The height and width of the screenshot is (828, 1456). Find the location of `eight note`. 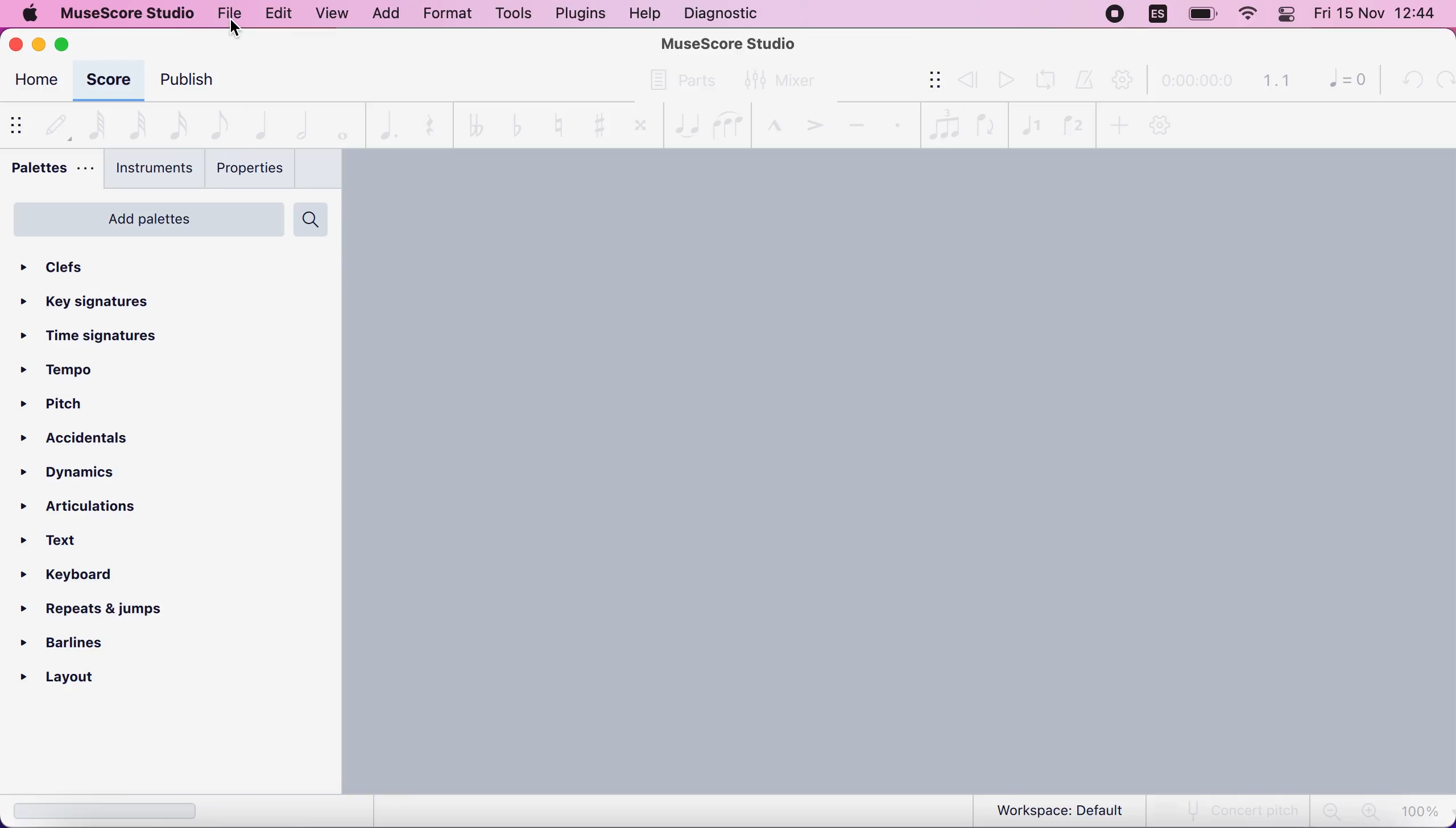

eight note is located at coordinates (217, 124).